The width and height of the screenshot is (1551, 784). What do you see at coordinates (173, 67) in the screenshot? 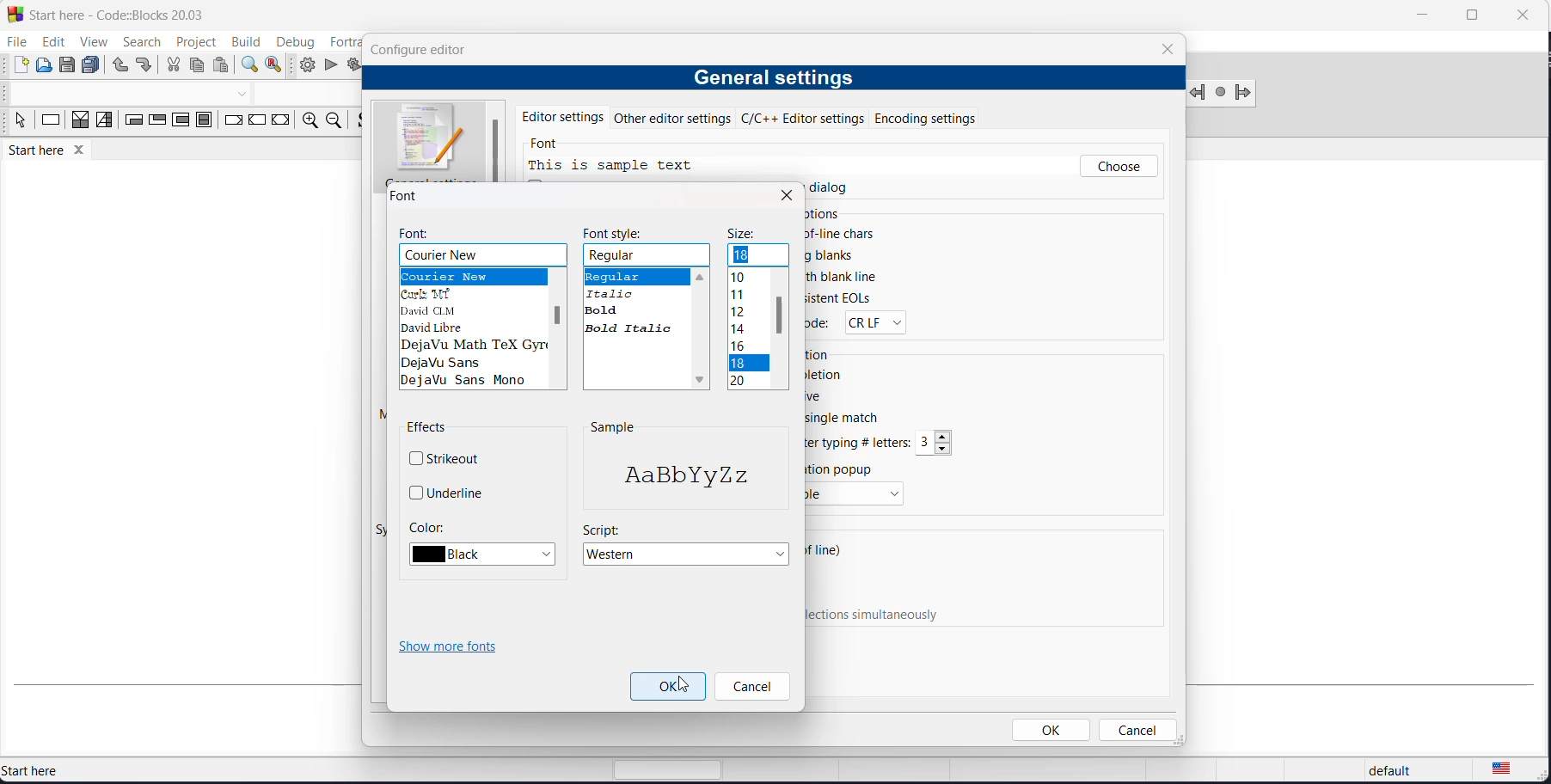
I see `cut` at bounding box center [173, 67].